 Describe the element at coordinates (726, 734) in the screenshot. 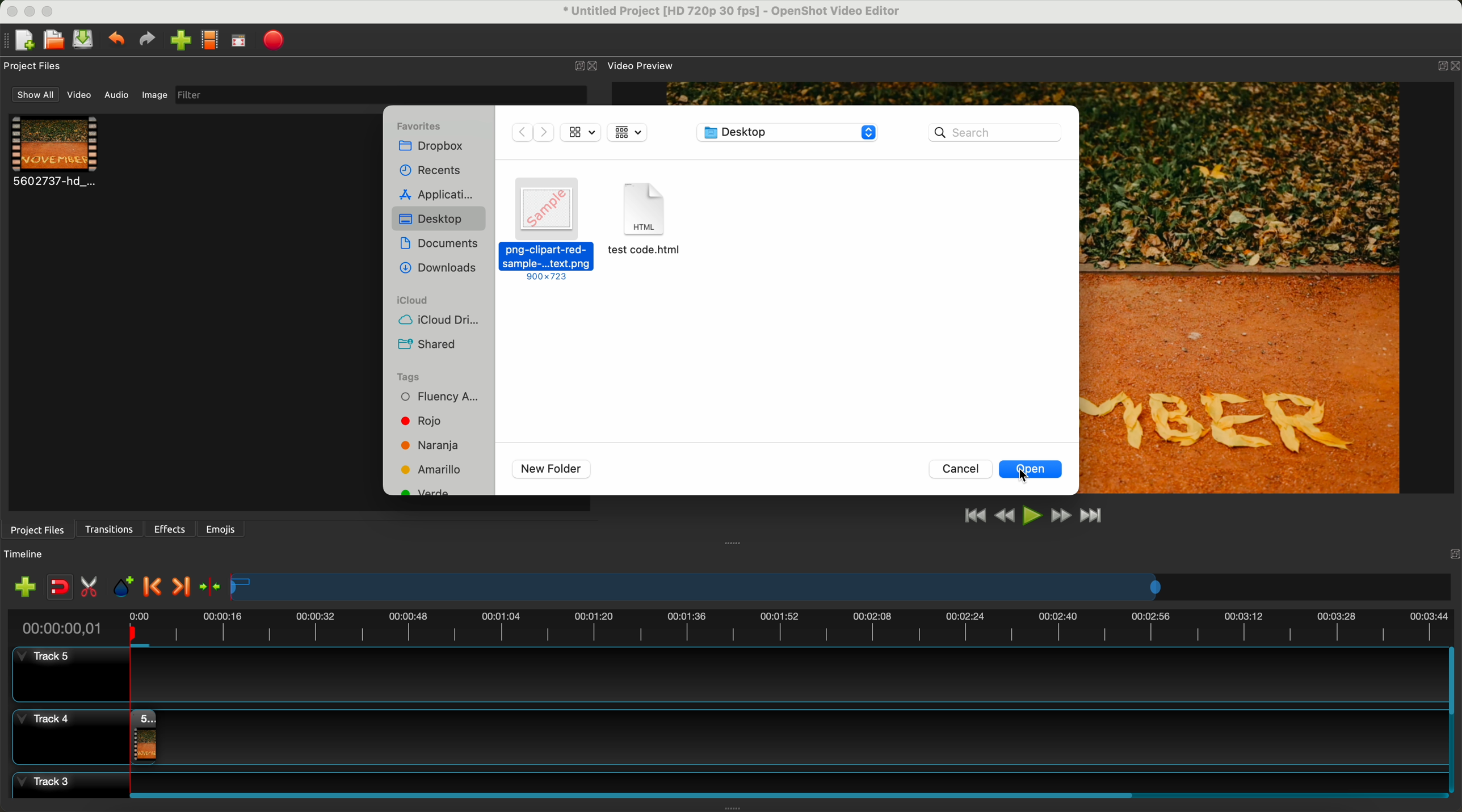

I see `track 4` at that location.